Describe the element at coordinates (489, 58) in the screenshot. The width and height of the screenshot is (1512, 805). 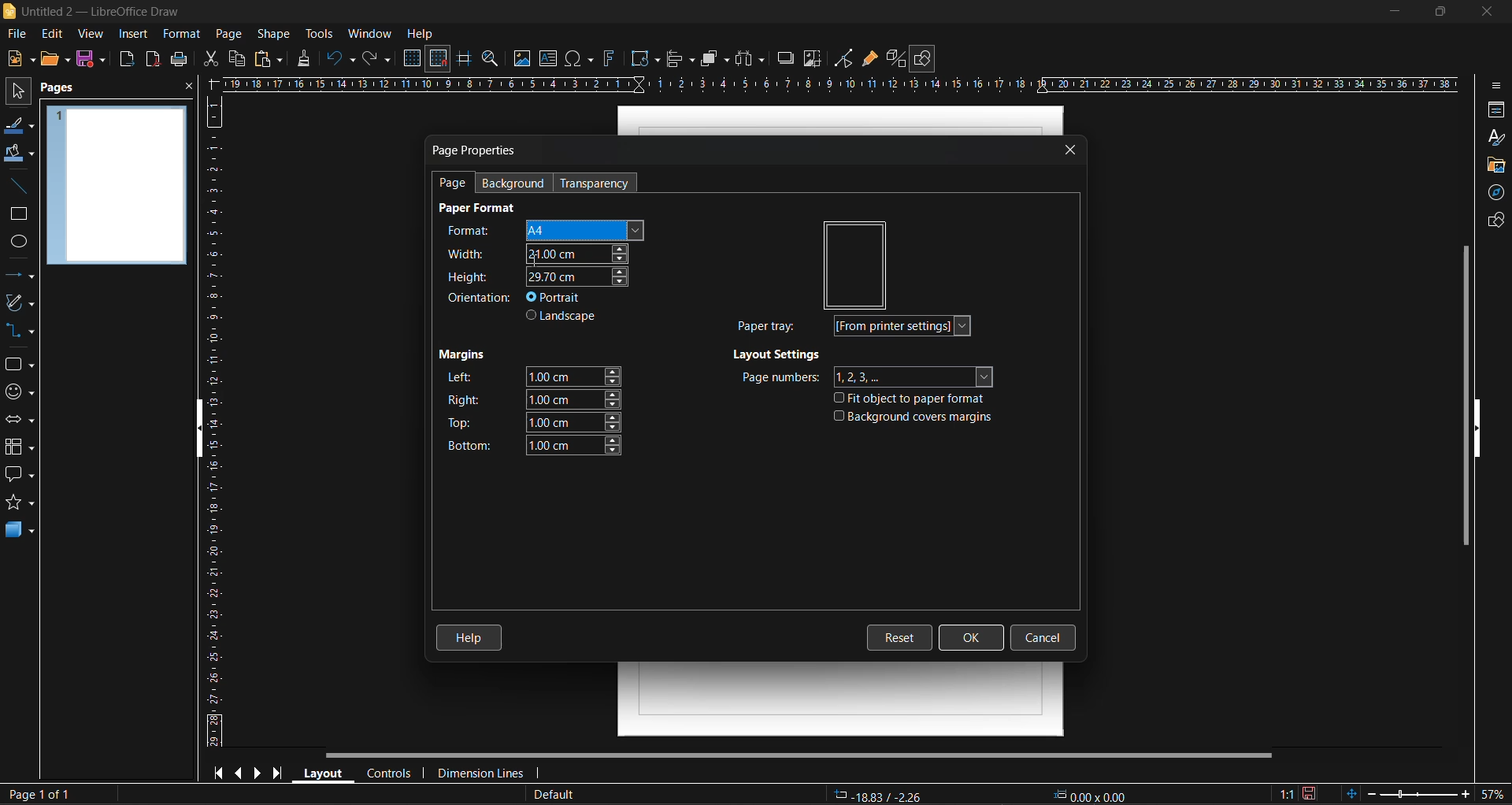
I see `zoom and pan` at that location.